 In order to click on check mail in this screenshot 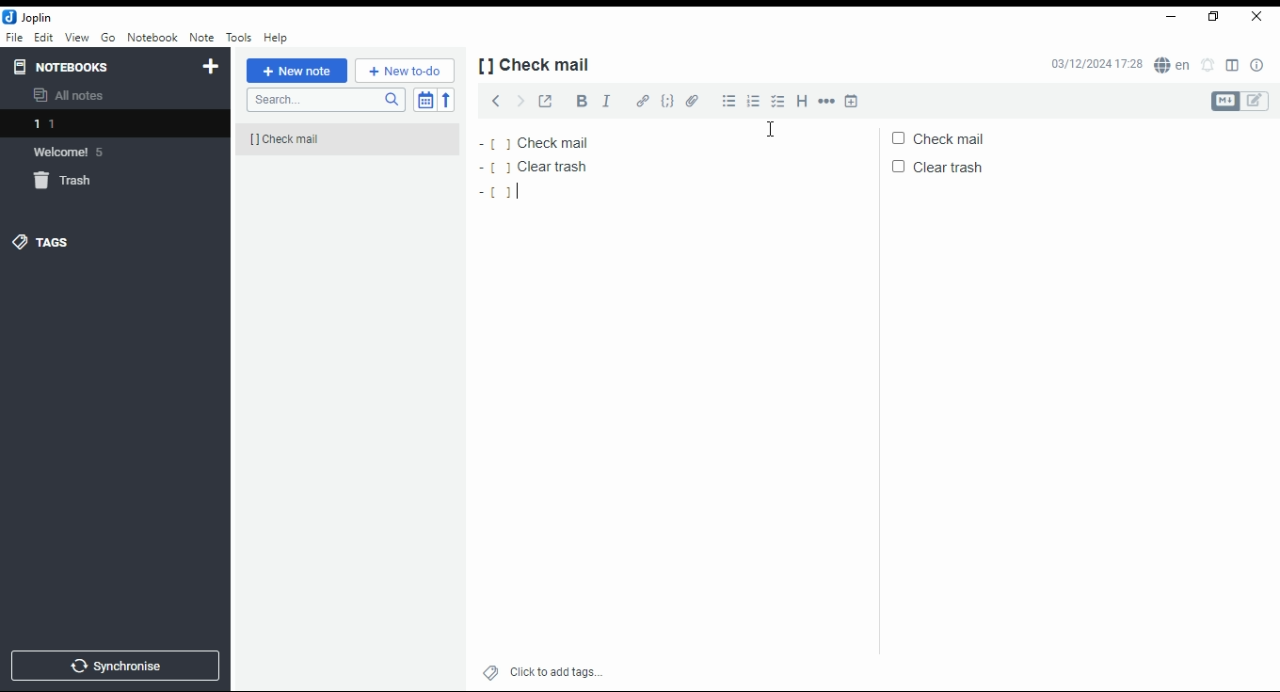, I will do `click(543, 140)`.